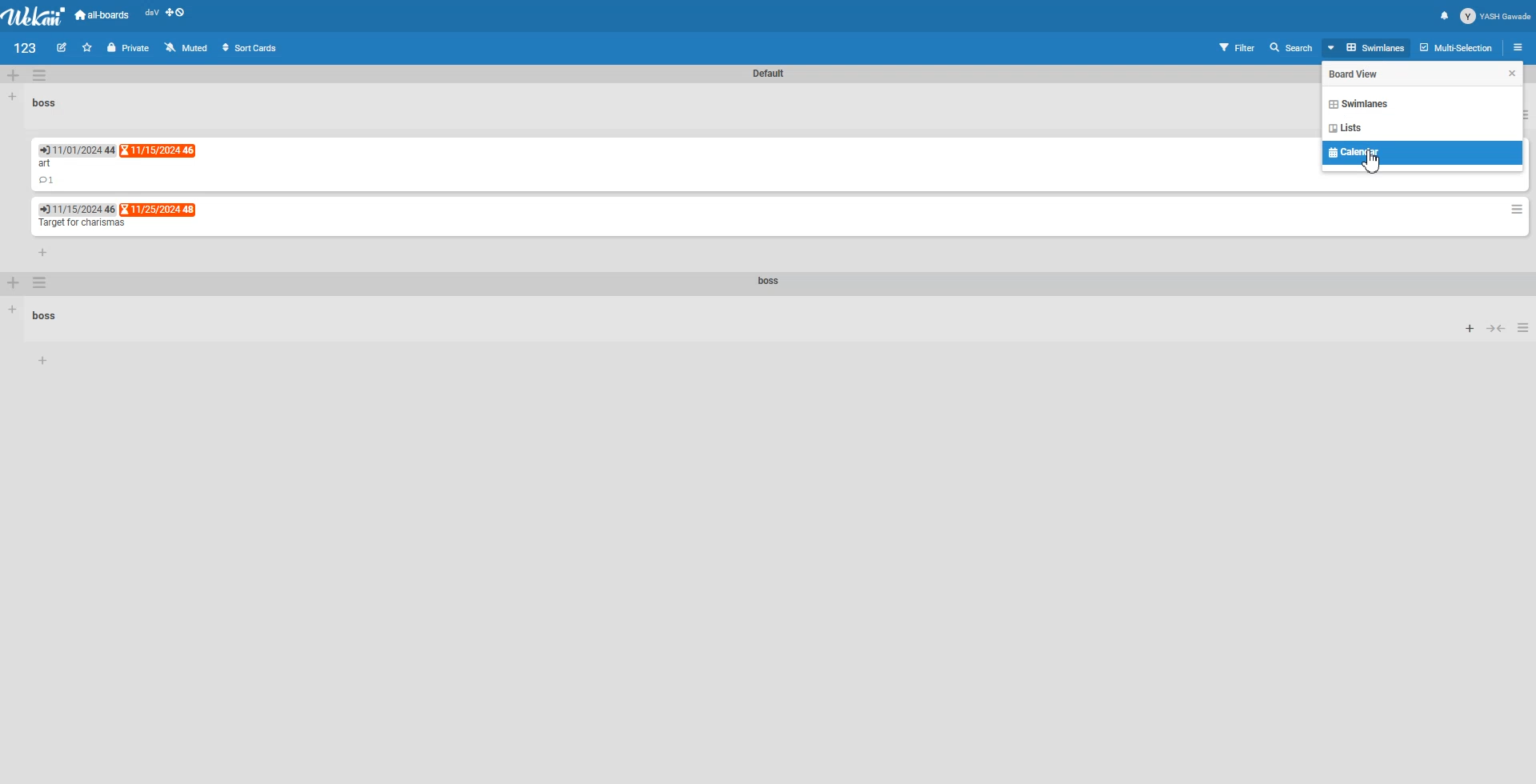  I want to click on Text, so click(46, 101).